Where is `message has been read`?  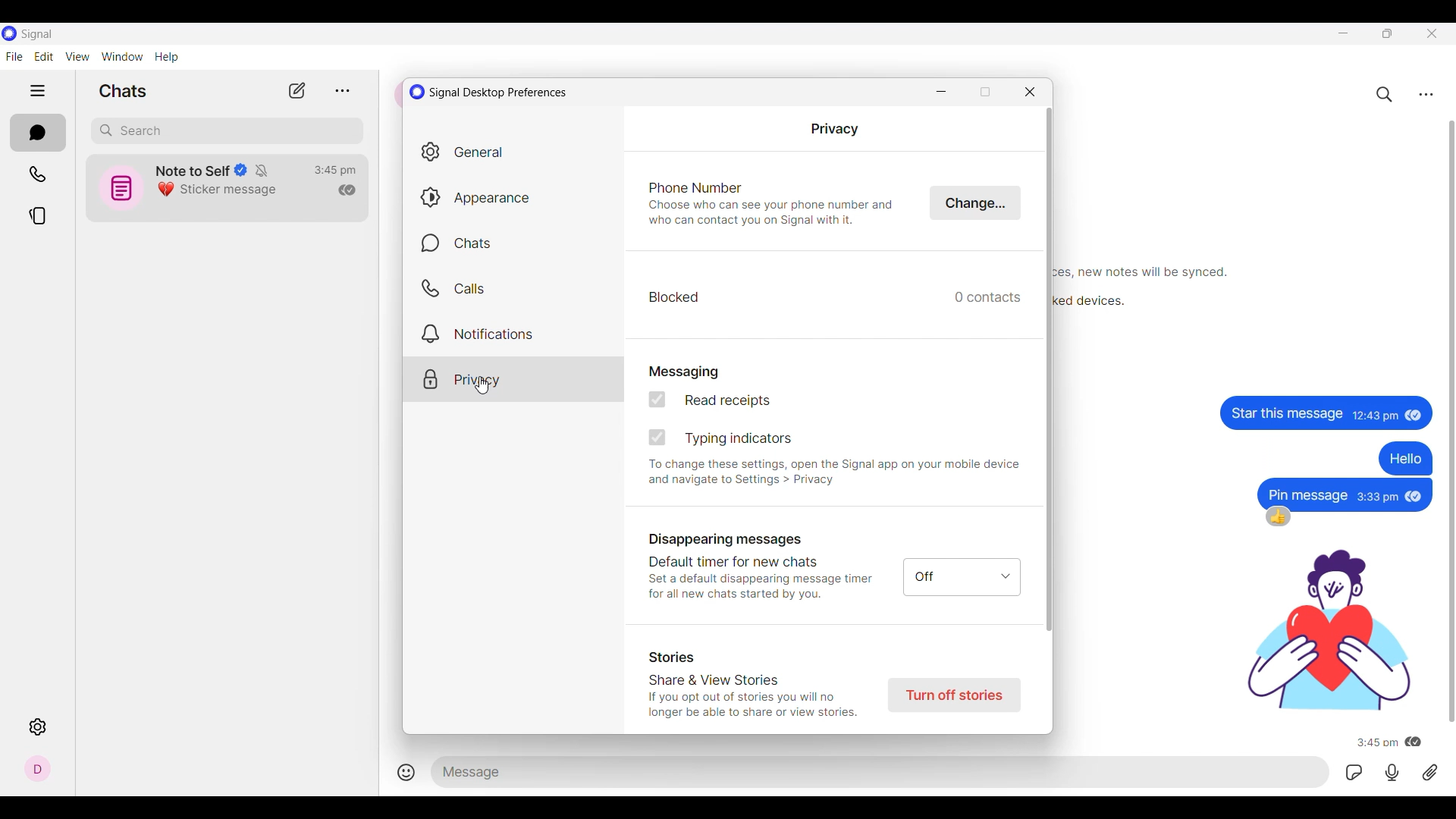 message has been read is located at coordinates (1417, 497).